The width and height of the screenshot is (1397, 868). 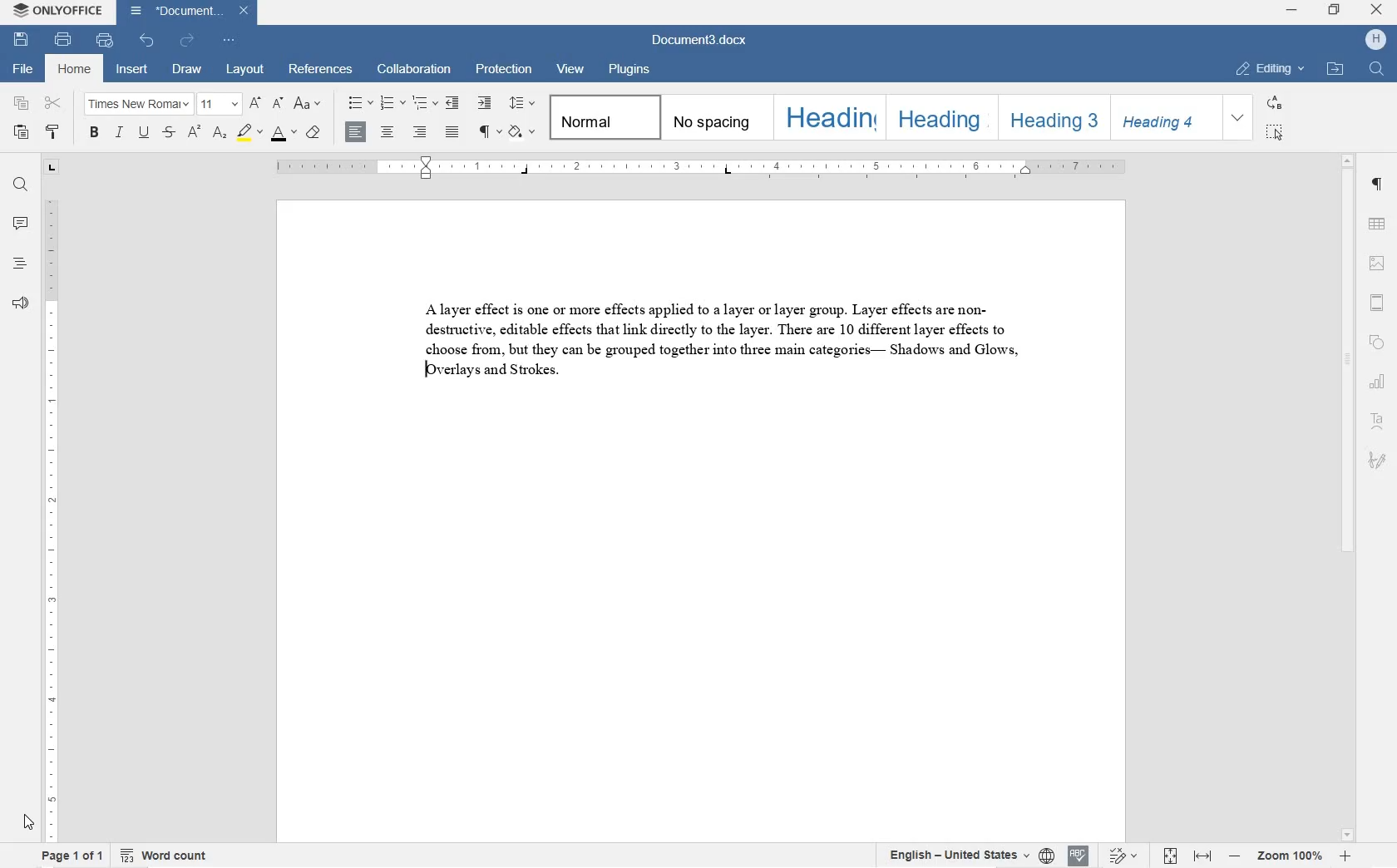 What do you see at coordinates (423, 104) in the screenshot?
I see `Multilevel list` at bounding box center [423, 104].